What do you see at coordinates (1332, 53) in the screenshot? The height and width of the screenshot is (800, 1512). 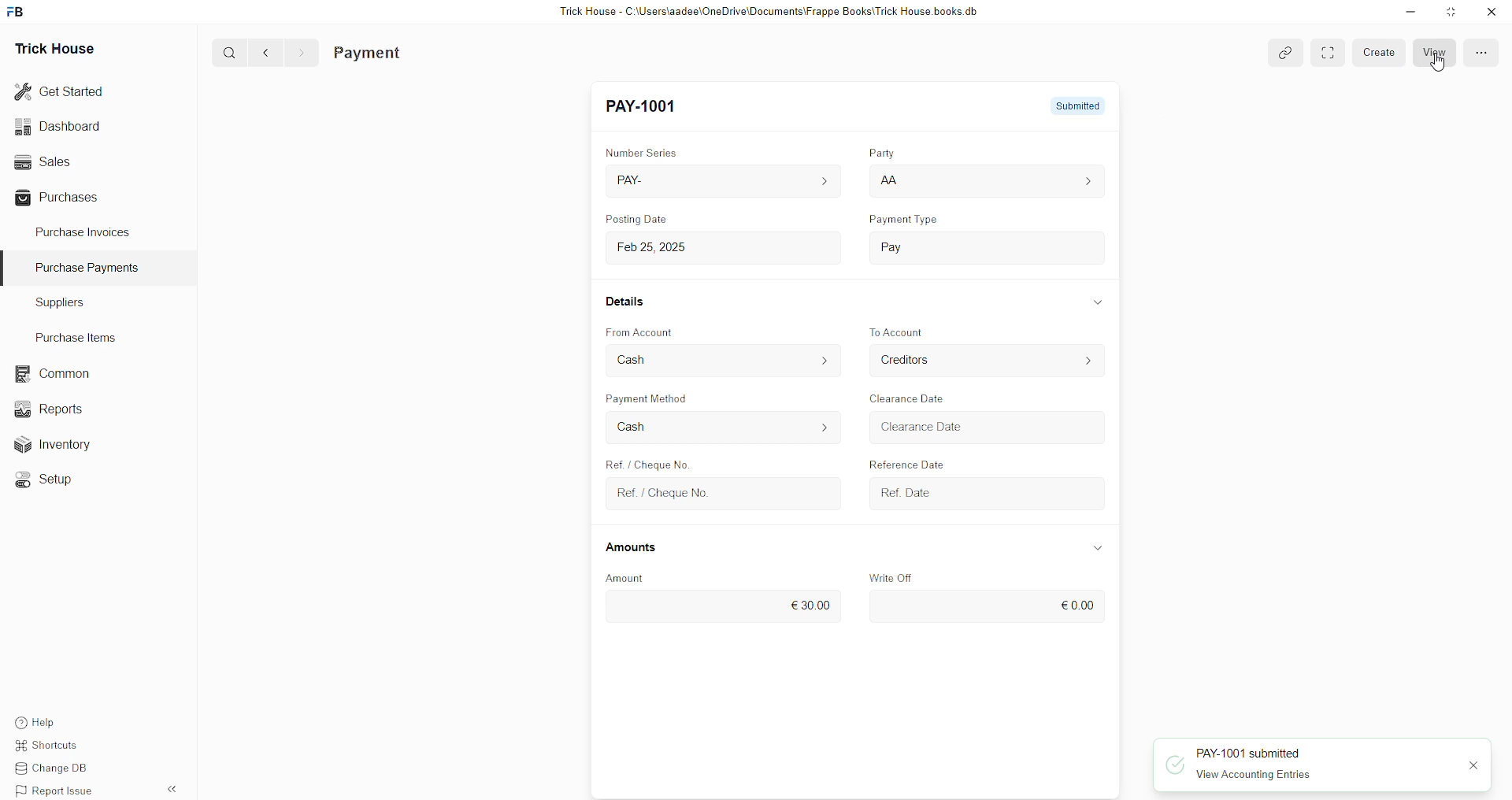 I see `EXPAND` at bounding box center [1332, 53].